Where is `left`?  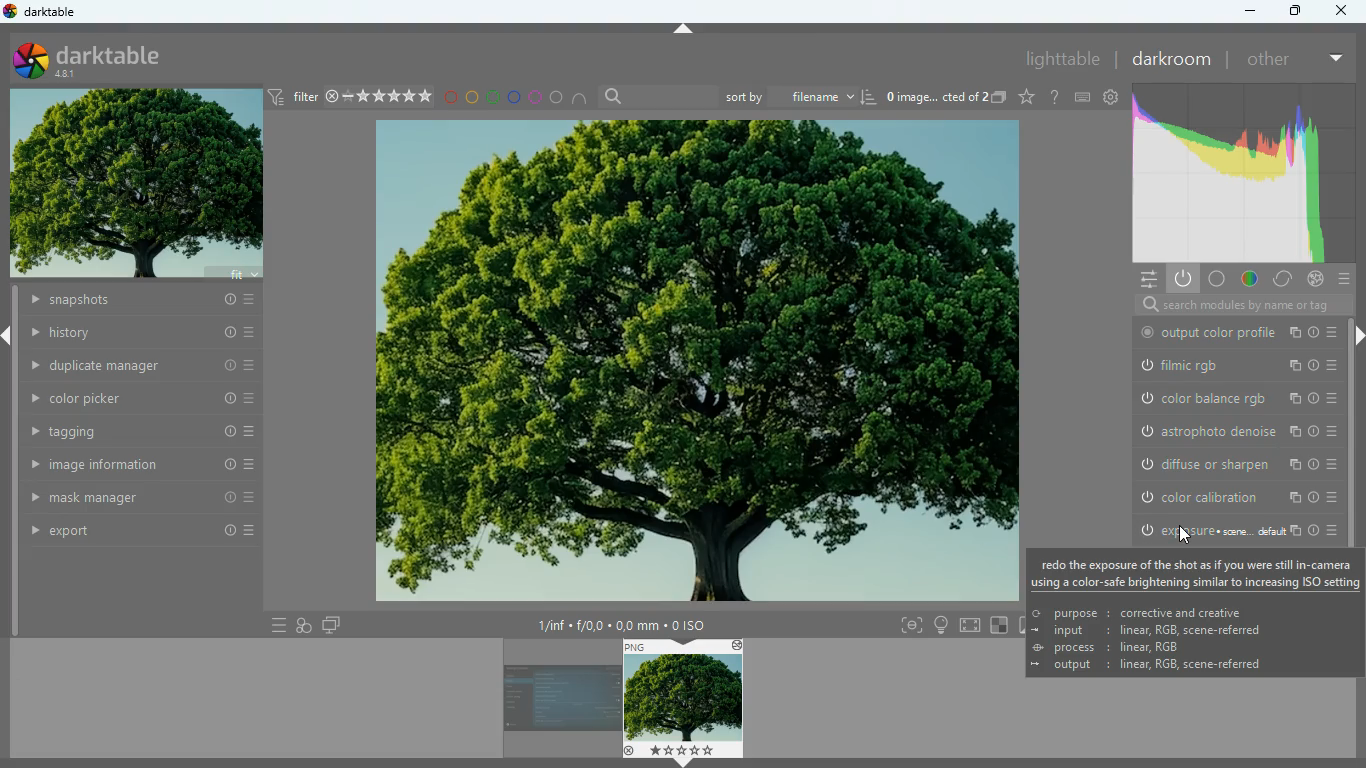
left is located at coordinates (9, 335).